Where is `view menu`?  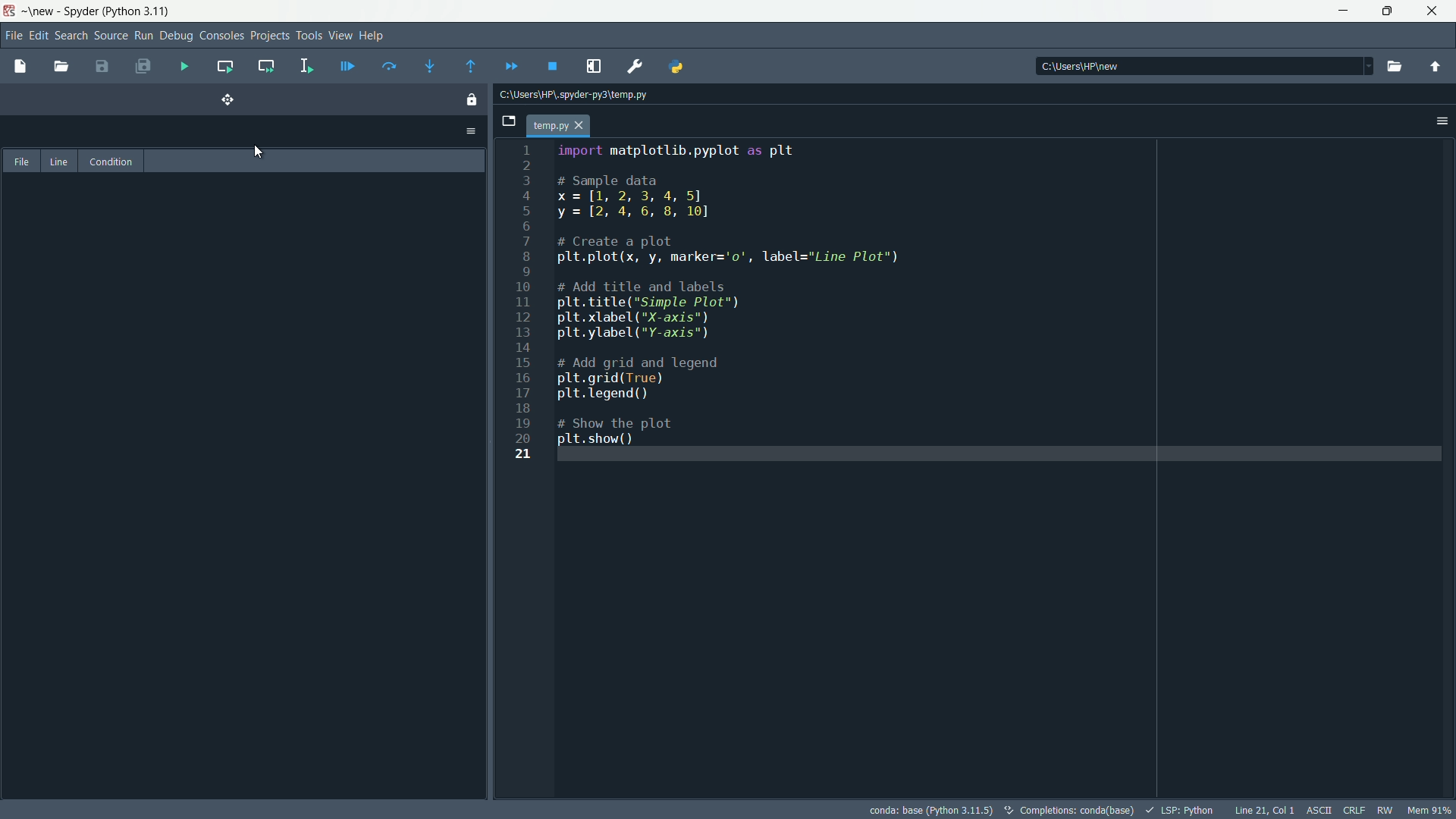 view menu is located at coordinates (340, 35).